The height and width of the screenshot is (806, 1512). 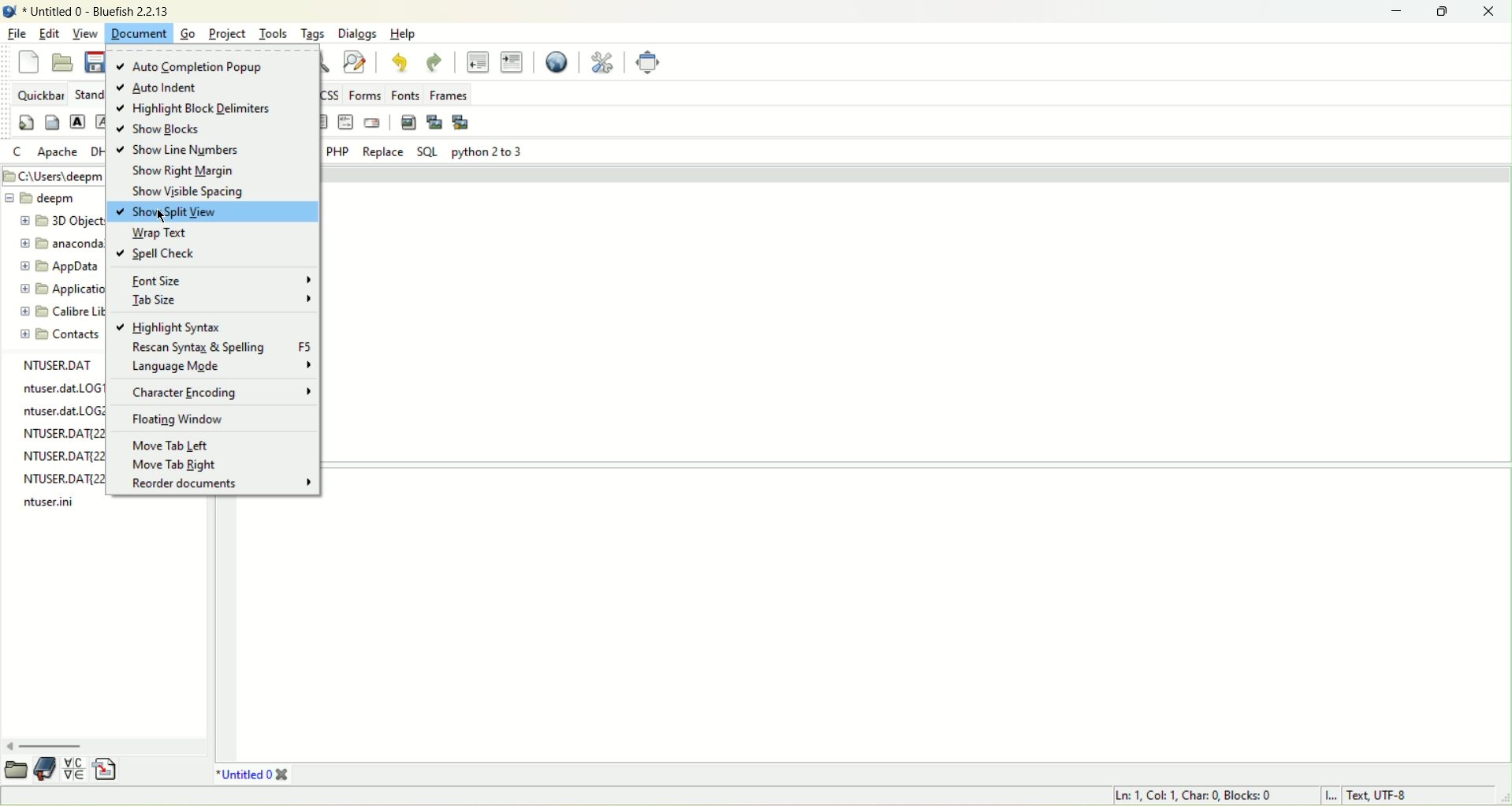 What do you see at coordinates (75, 123) in the screenshot?
I see `strong` at bounding box center [75, 123].